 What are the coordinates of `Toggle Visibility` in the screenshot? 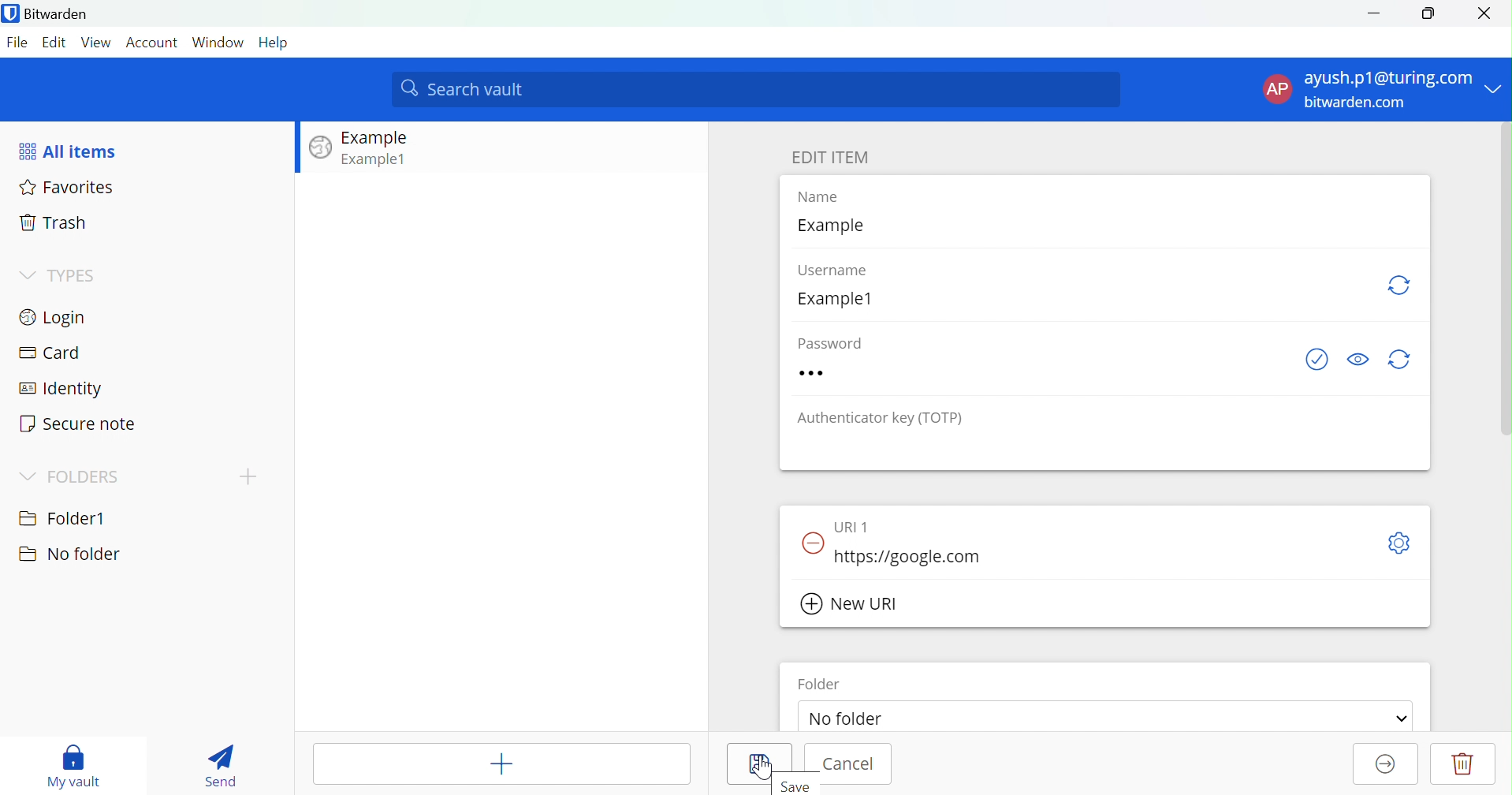 It's located at (1359, 358).